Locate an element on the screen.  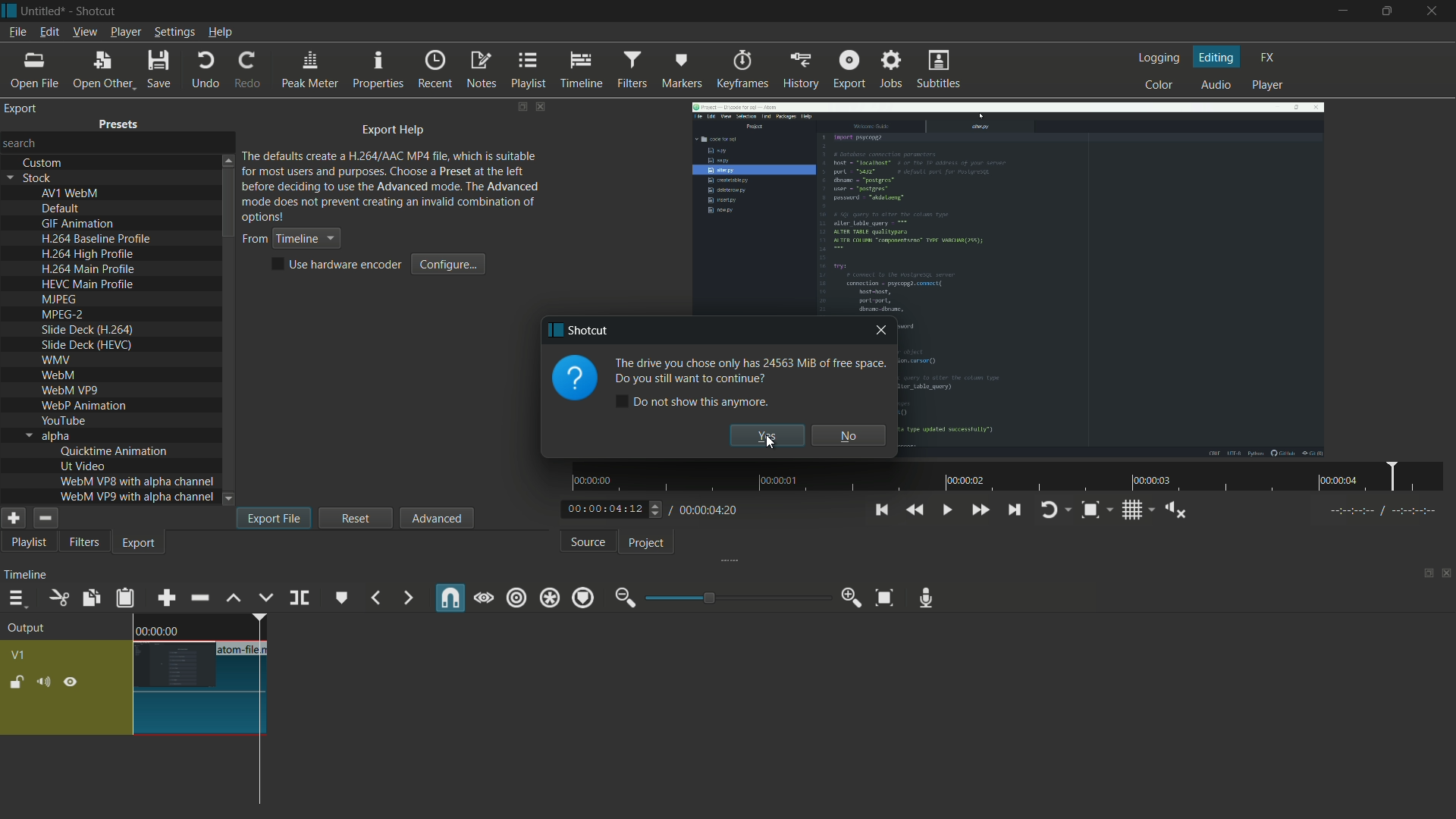
youtube is located at coordinates (63, 420).